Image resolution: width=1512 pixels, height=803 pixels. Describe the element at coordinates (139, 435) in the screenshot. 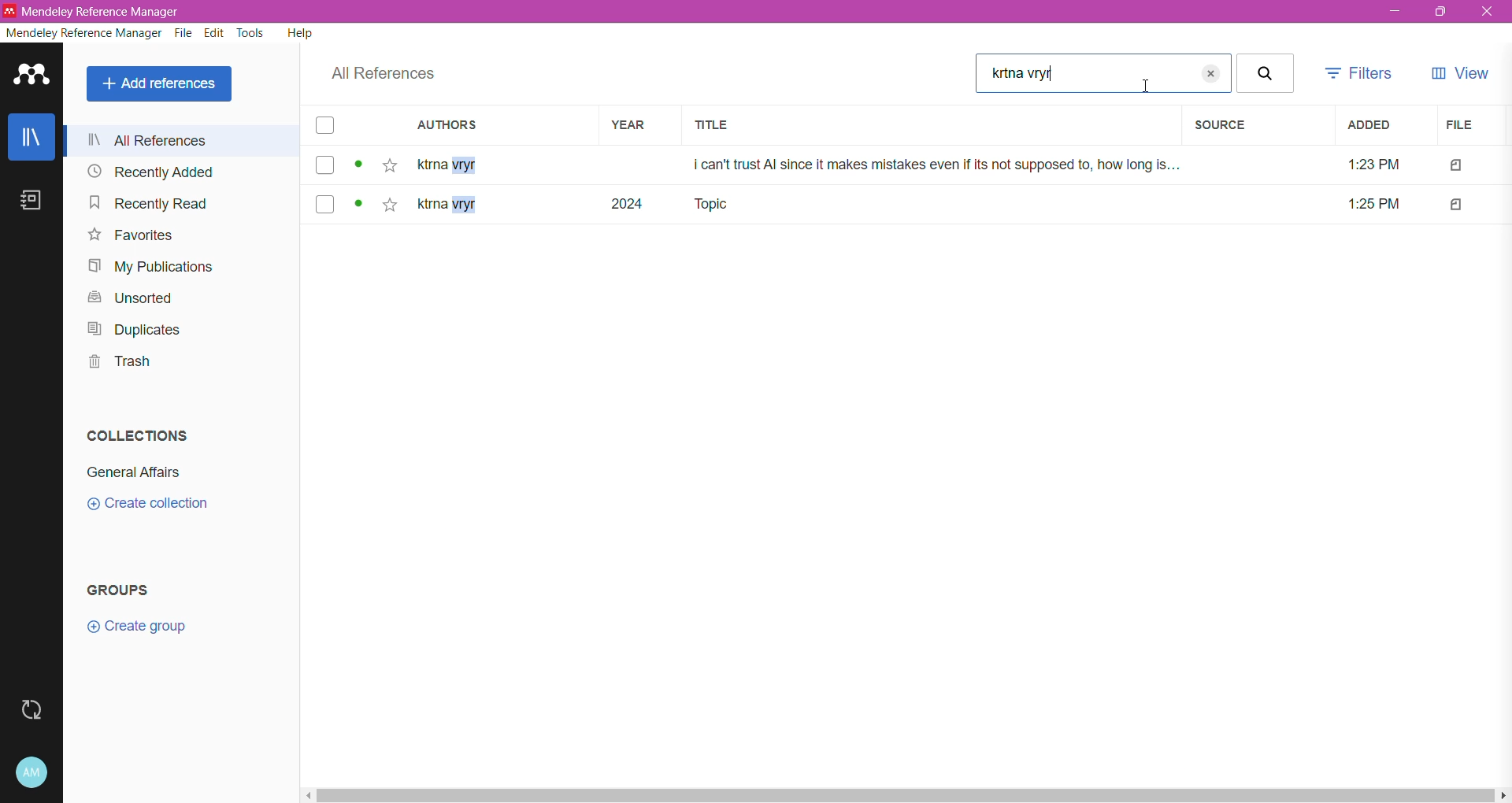

I see `Collections` at that location.